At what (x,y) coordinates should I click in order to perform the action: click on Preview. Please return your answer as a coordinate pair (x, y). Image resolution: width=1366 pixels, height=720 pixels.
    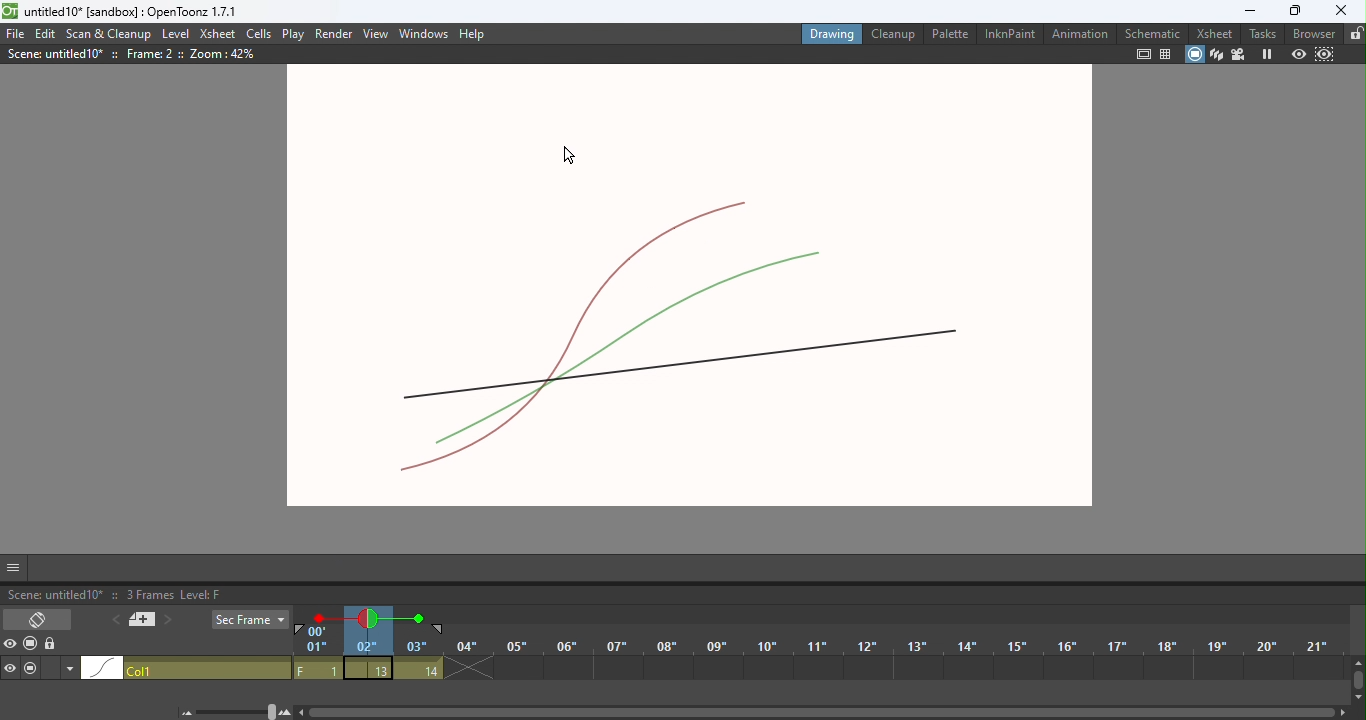
    Looking at the image, I should click on (1298, 53).